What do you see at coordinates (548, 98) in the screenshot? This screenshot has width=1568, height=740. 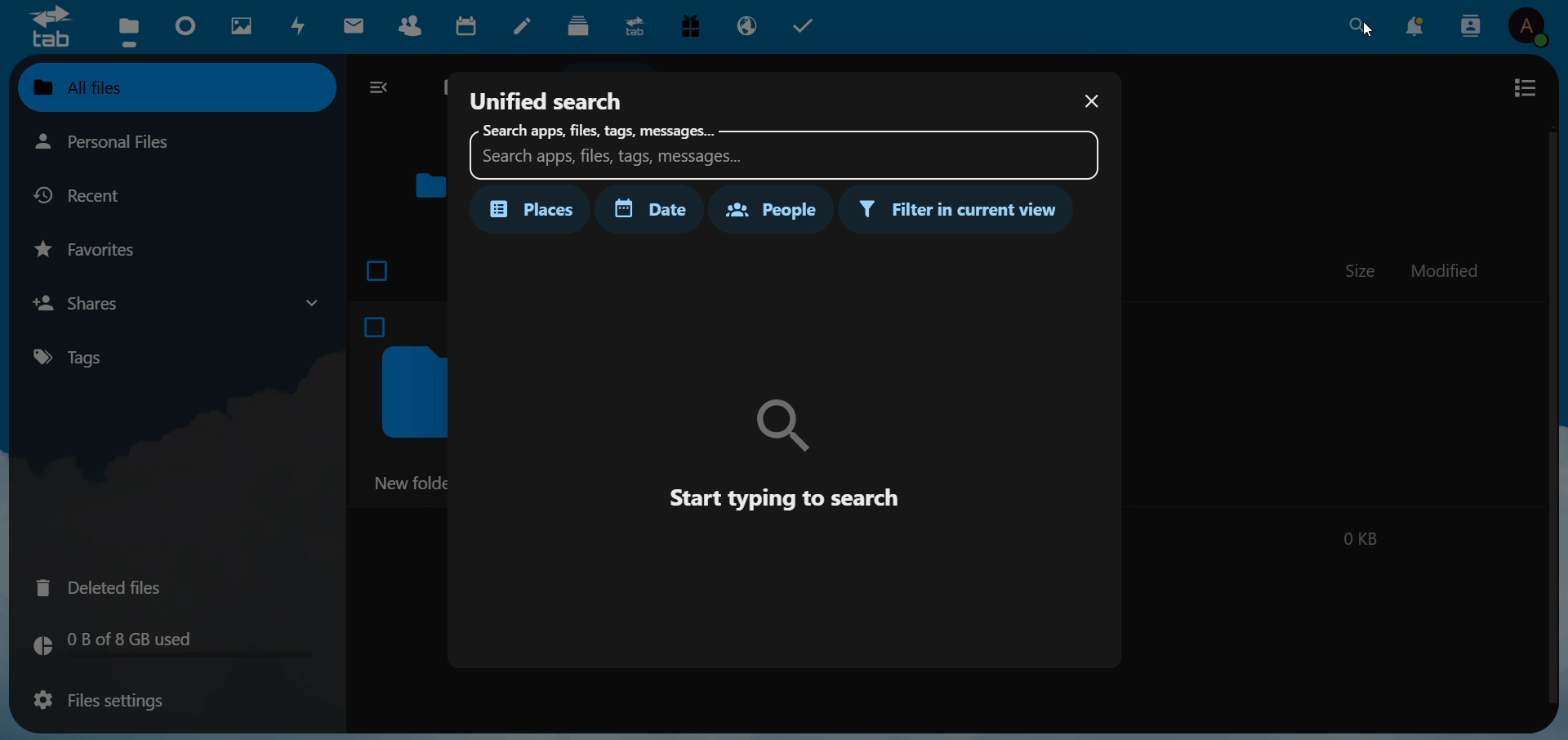 I see `unified search` at bounding box center [548, 98].